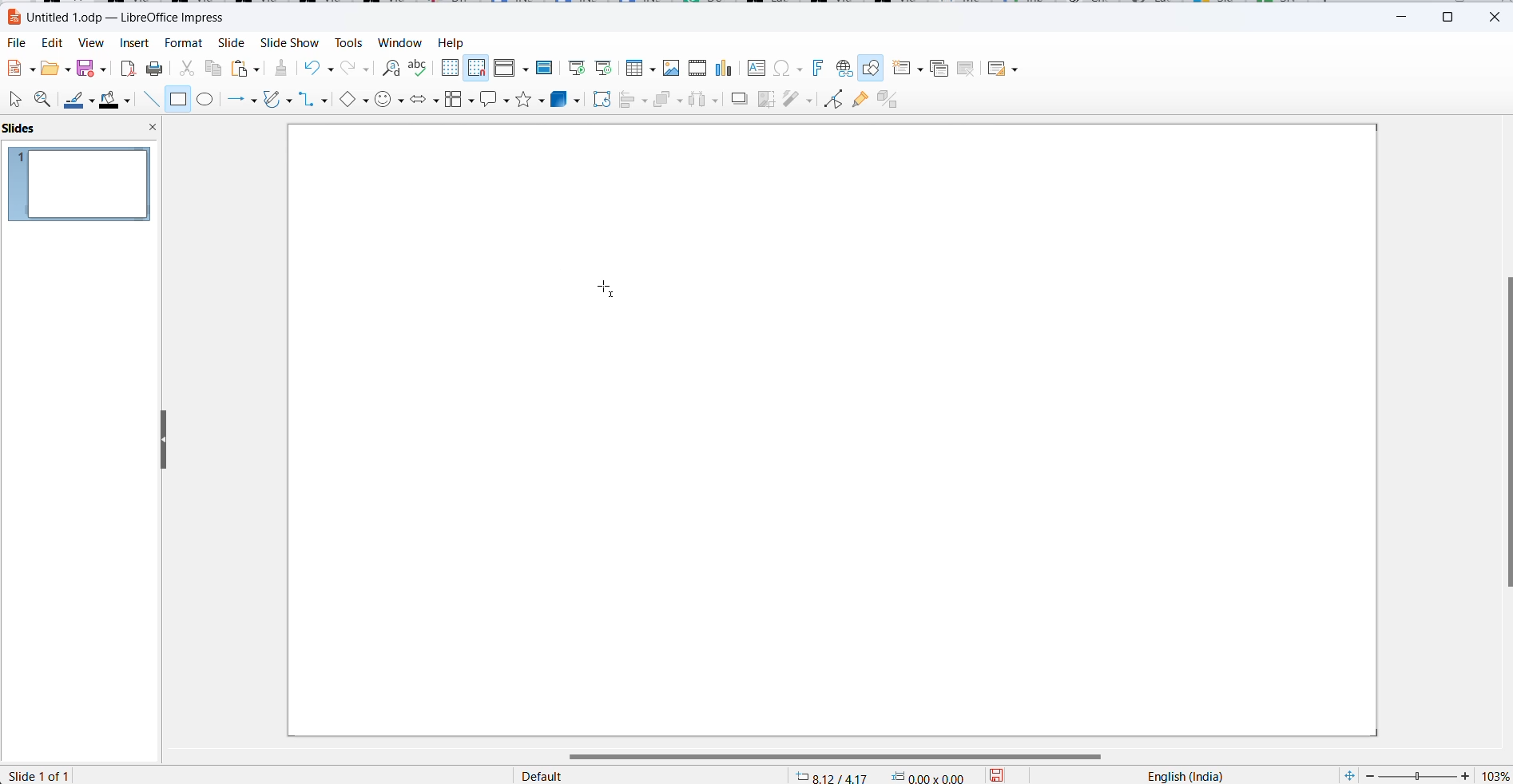 This screenshot has height=784, width=1513. What do you see at coordinates (766, 99) in the screenshot?
I see `crop image` at bounding box center [766, 99].